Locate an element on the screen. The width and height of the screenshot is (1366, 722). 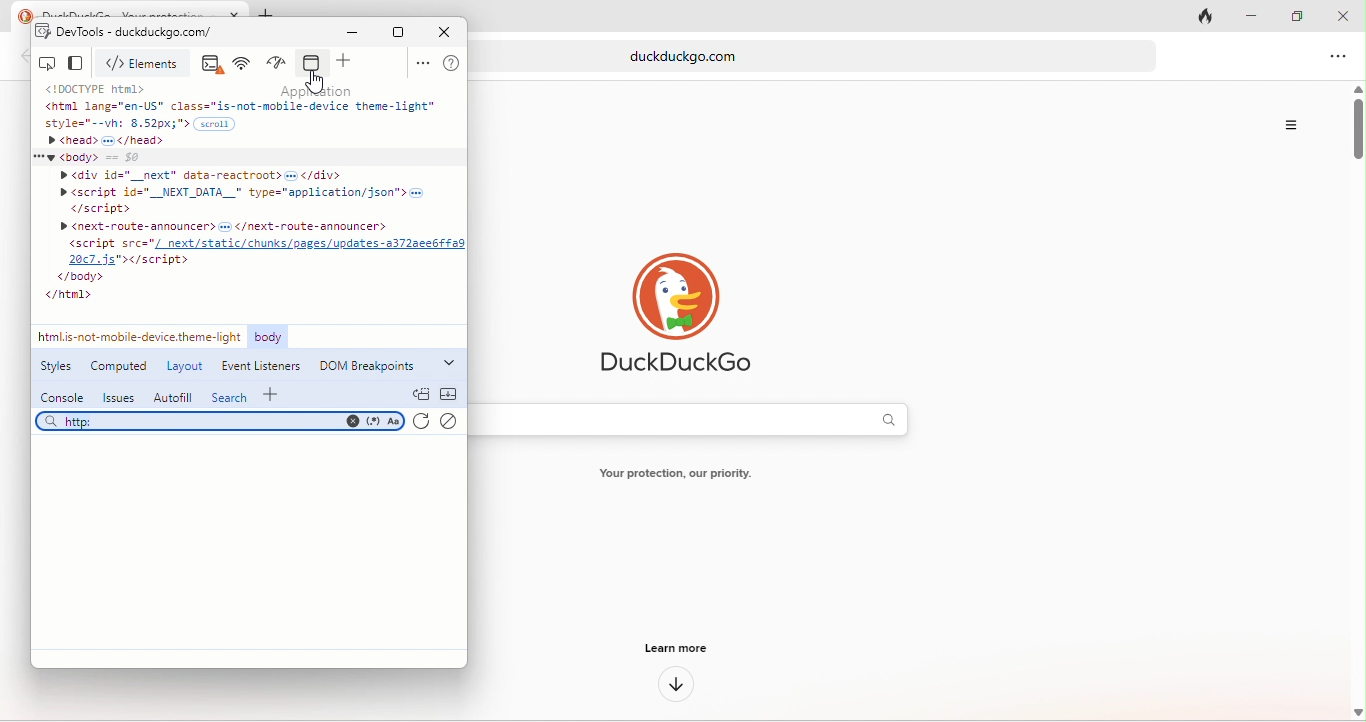
cursor movement is located at coordinates (320, 82).